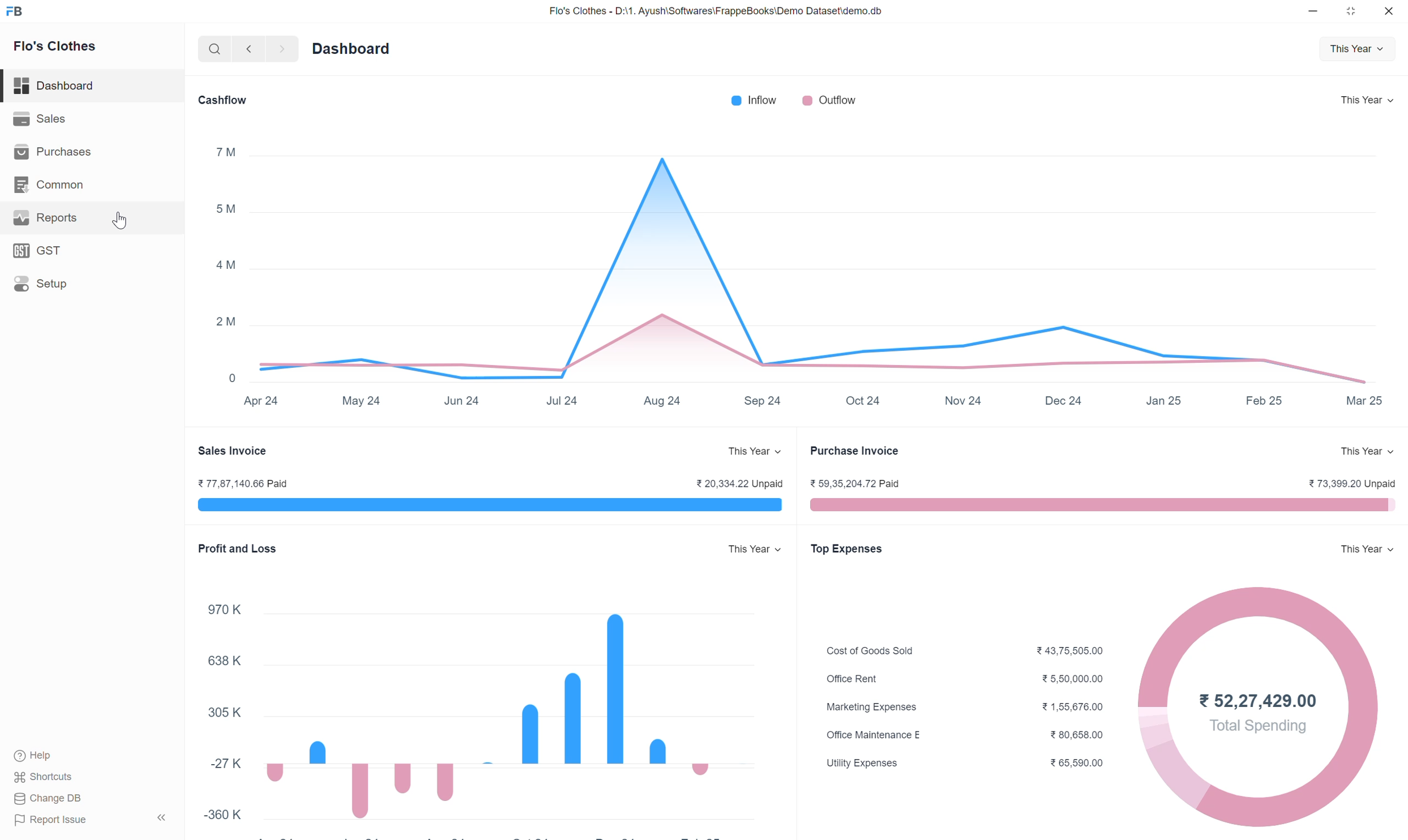  Describe the element at coordinates (493, 708) in the screenshot. I see `Bar chart` at that location.